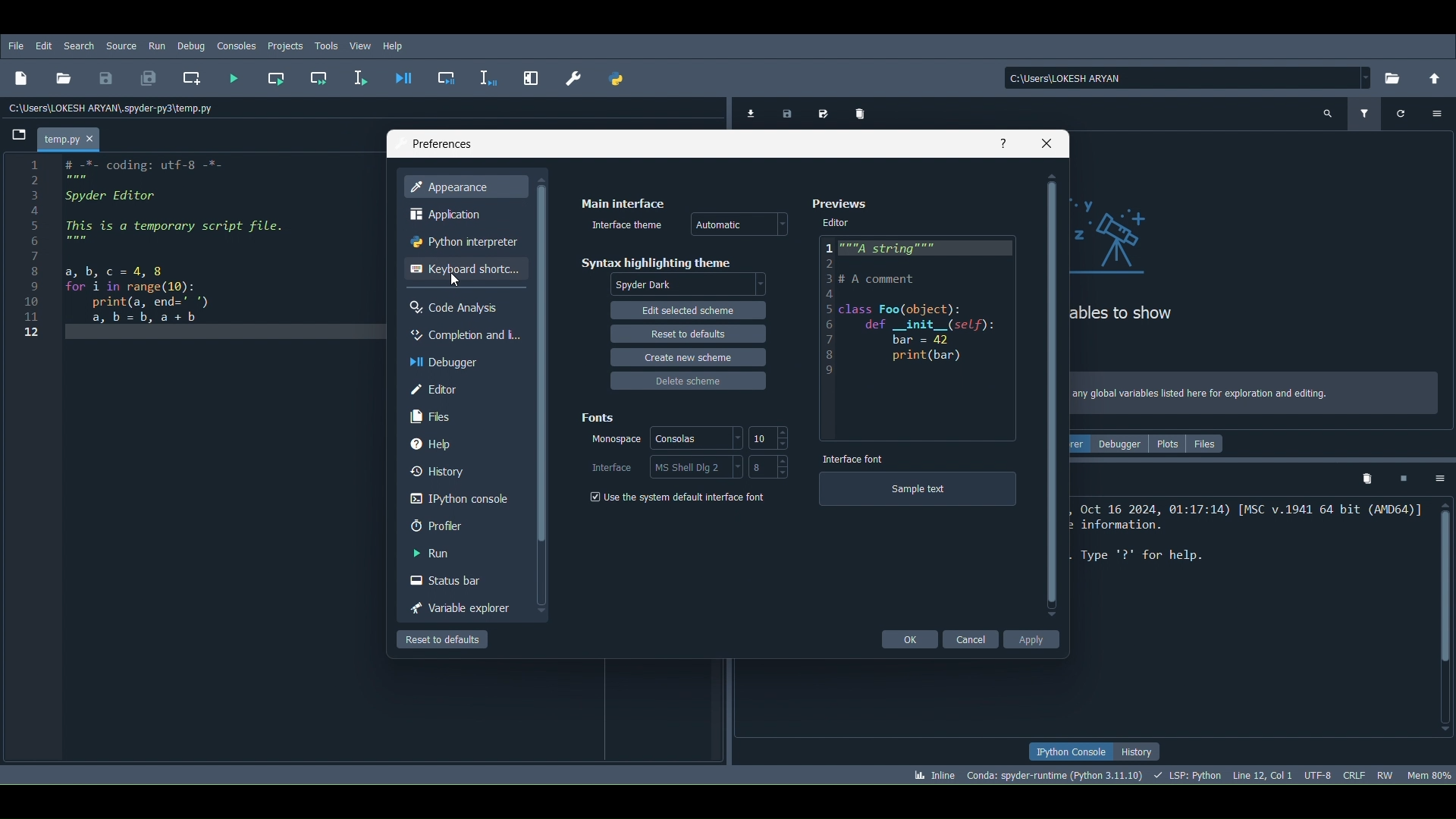  What do you see at coordinates (1208, 447) in the screenshot?
I see `Files` at bounding box center [1208, 447].